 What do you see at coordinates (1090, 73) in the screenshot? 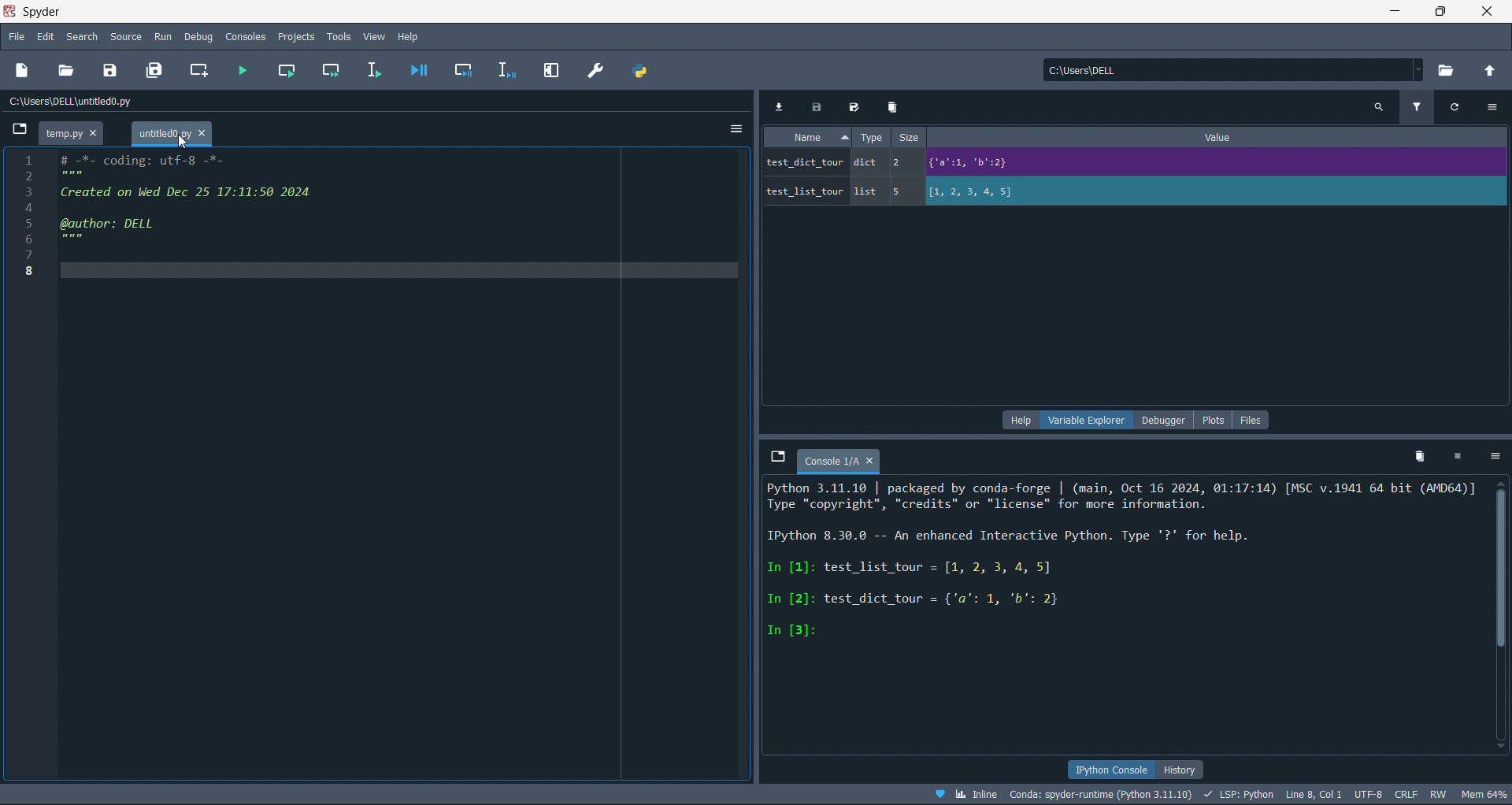
I see `C:\Users\DELL` at bounding box center [1090, 73].